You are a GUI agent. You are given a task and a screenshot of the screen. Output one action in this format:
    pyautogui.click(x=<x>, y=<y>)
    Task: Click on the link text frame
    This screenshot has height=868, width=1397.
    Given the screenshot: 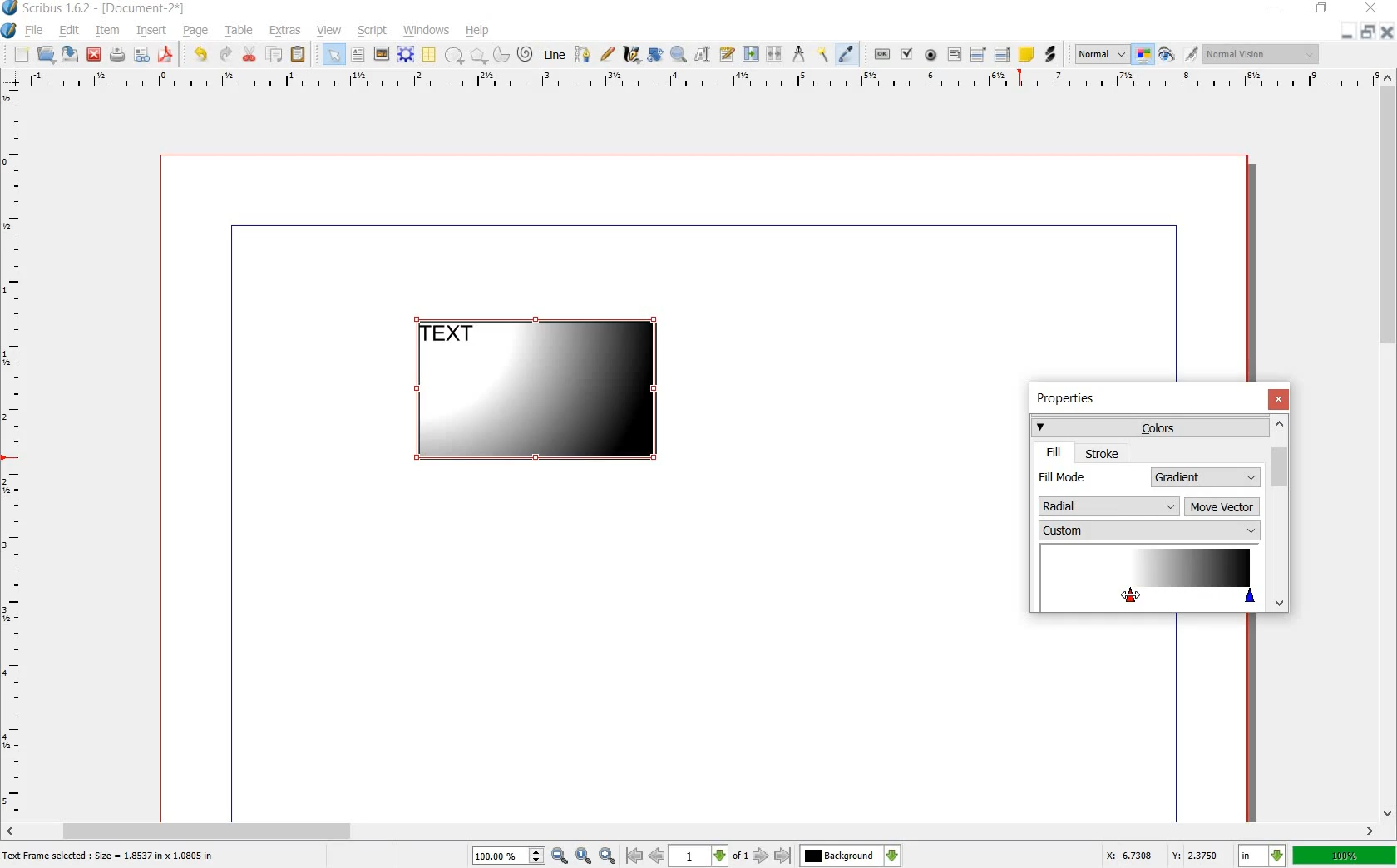 What is the action you would take?
    pyautogui.click(x=750, y=55)
    